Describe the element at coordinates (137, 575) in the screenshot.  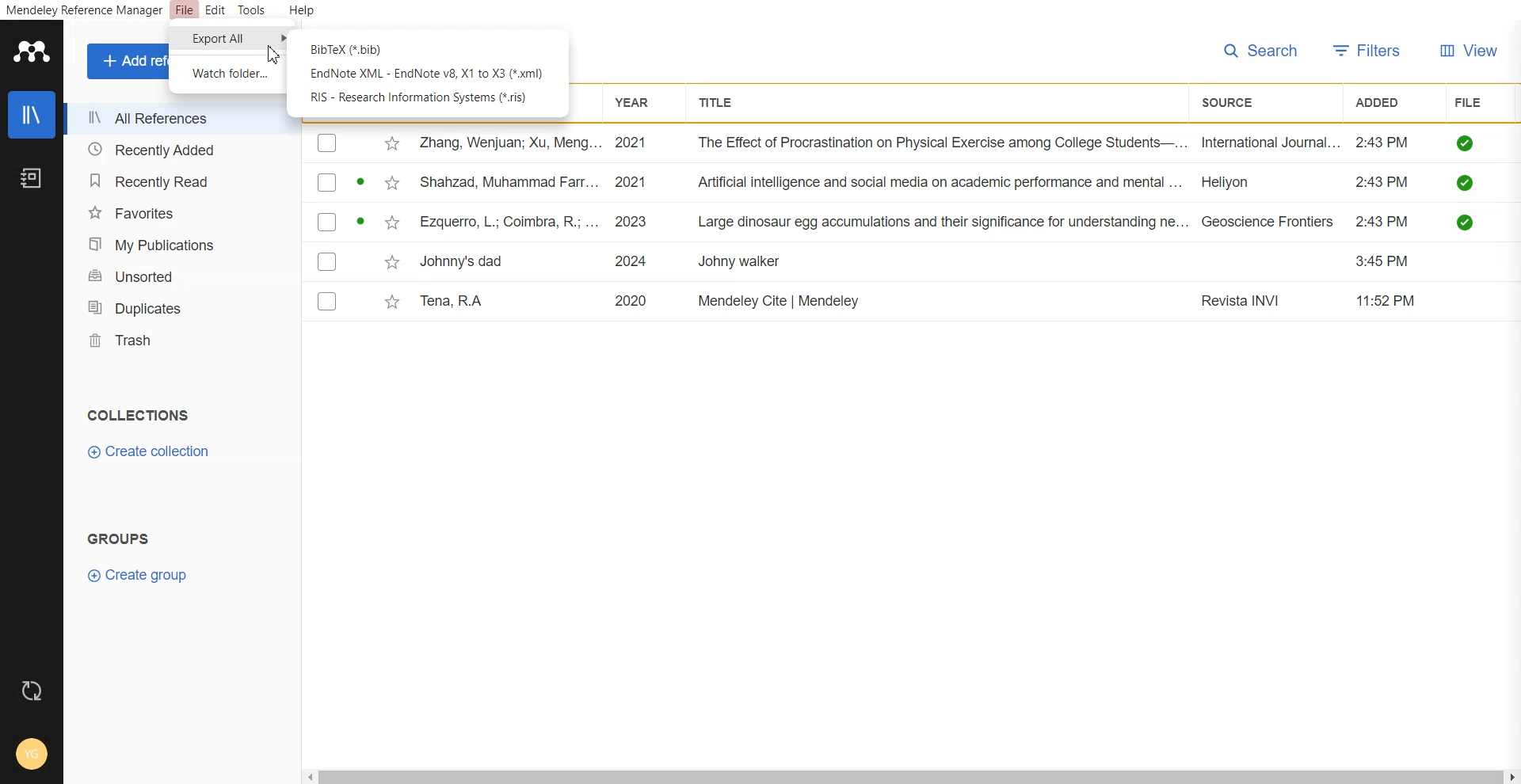
I see `Create group` at that location.